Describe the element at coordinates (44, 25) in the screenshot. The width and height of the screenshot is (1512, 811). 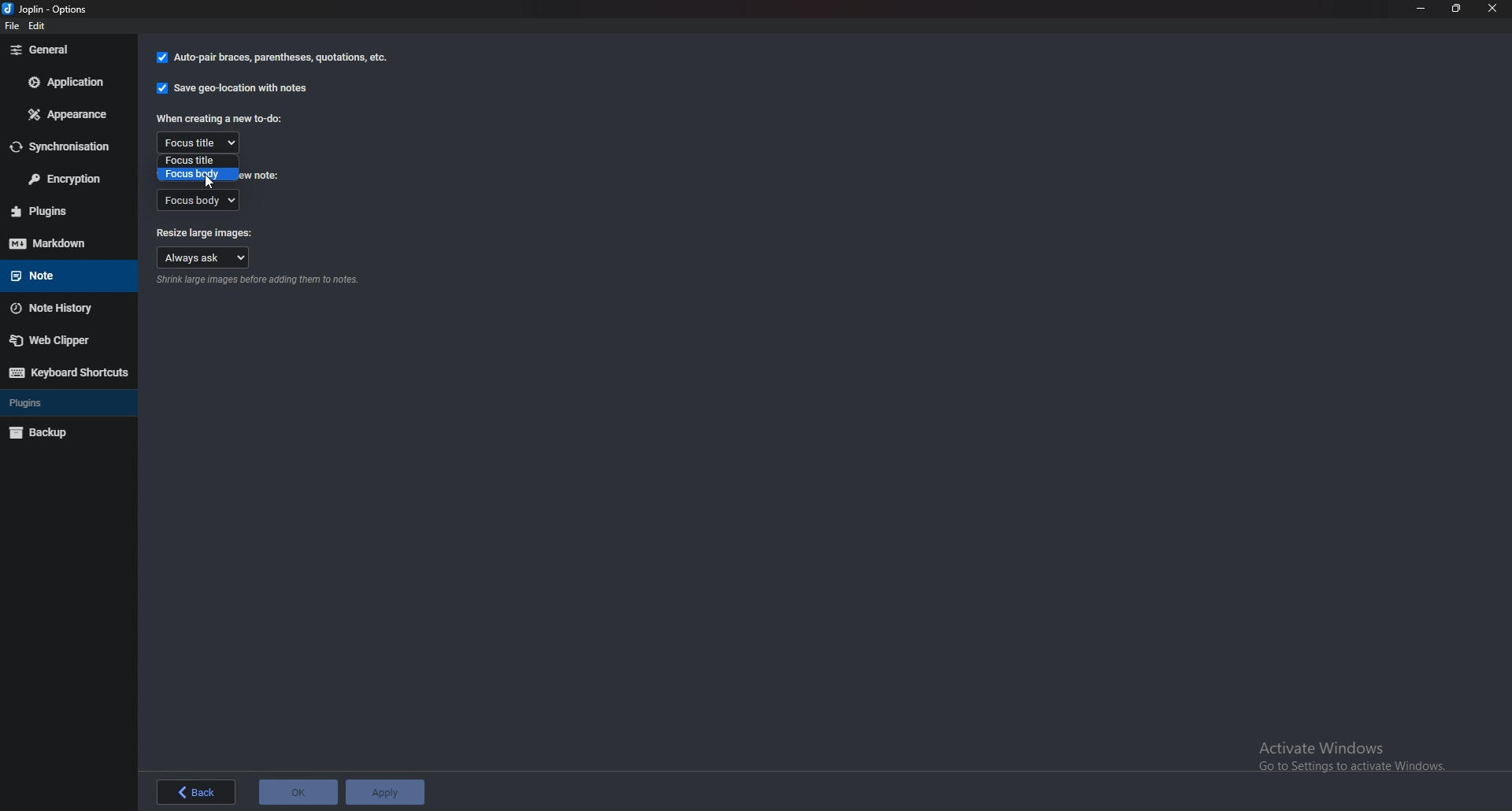
I see `edit` at that location.